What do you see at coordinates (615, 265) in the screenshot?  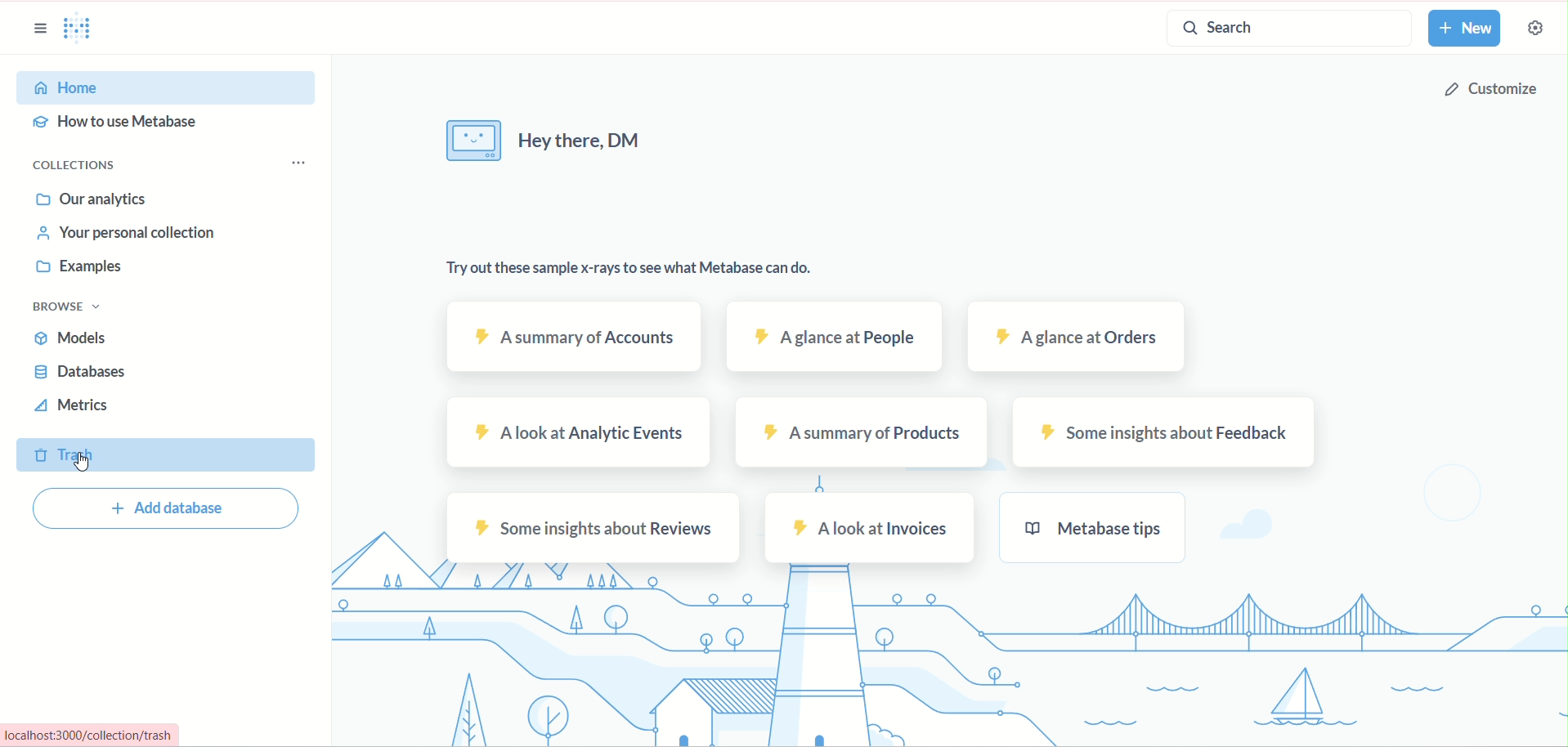 I see `Try out these sample x-rays to see what Metabase can do.` at bounding box center [615, 265].